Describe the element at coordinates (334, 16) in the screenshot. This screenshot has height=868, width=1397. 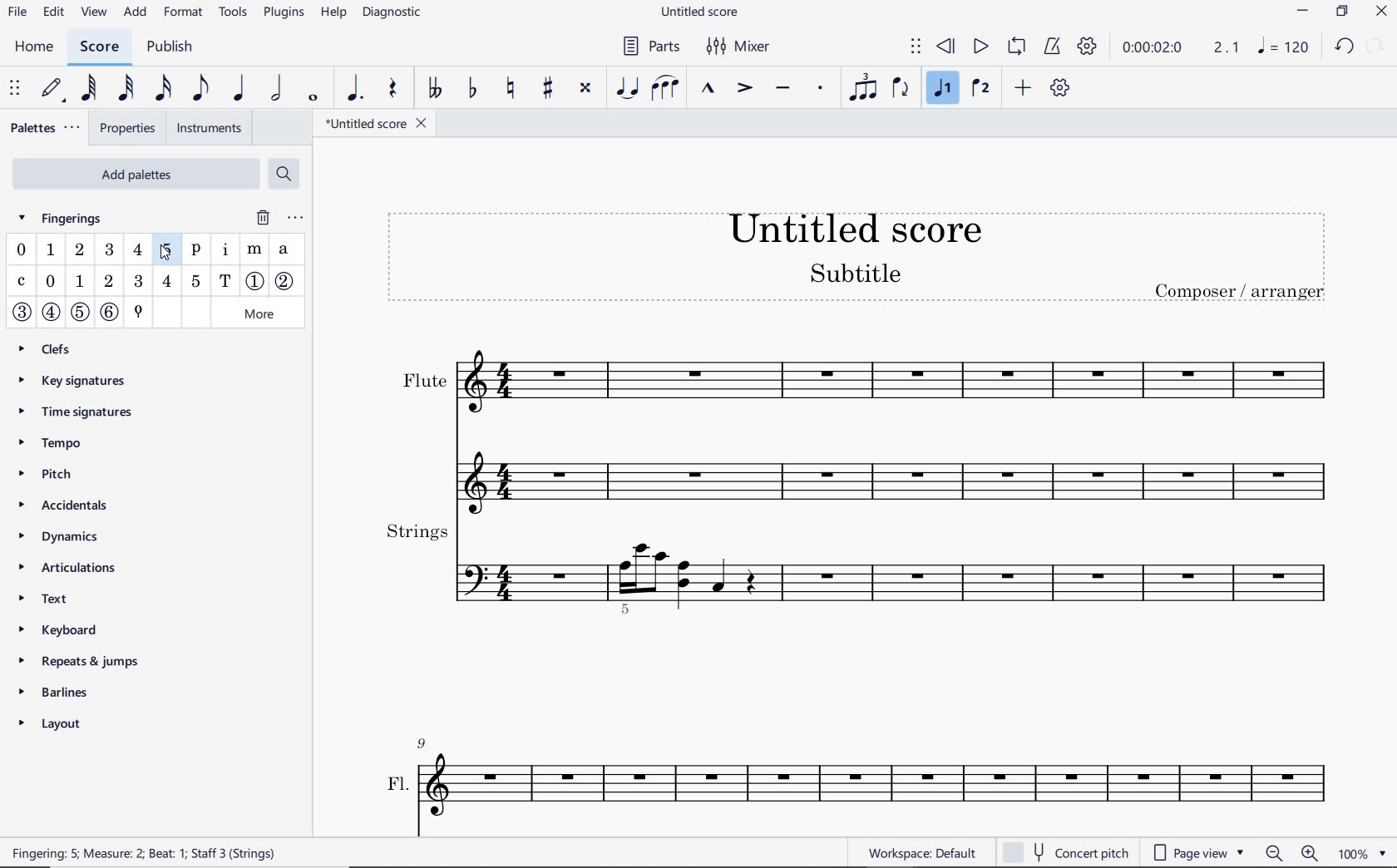
I see `help` at that location.